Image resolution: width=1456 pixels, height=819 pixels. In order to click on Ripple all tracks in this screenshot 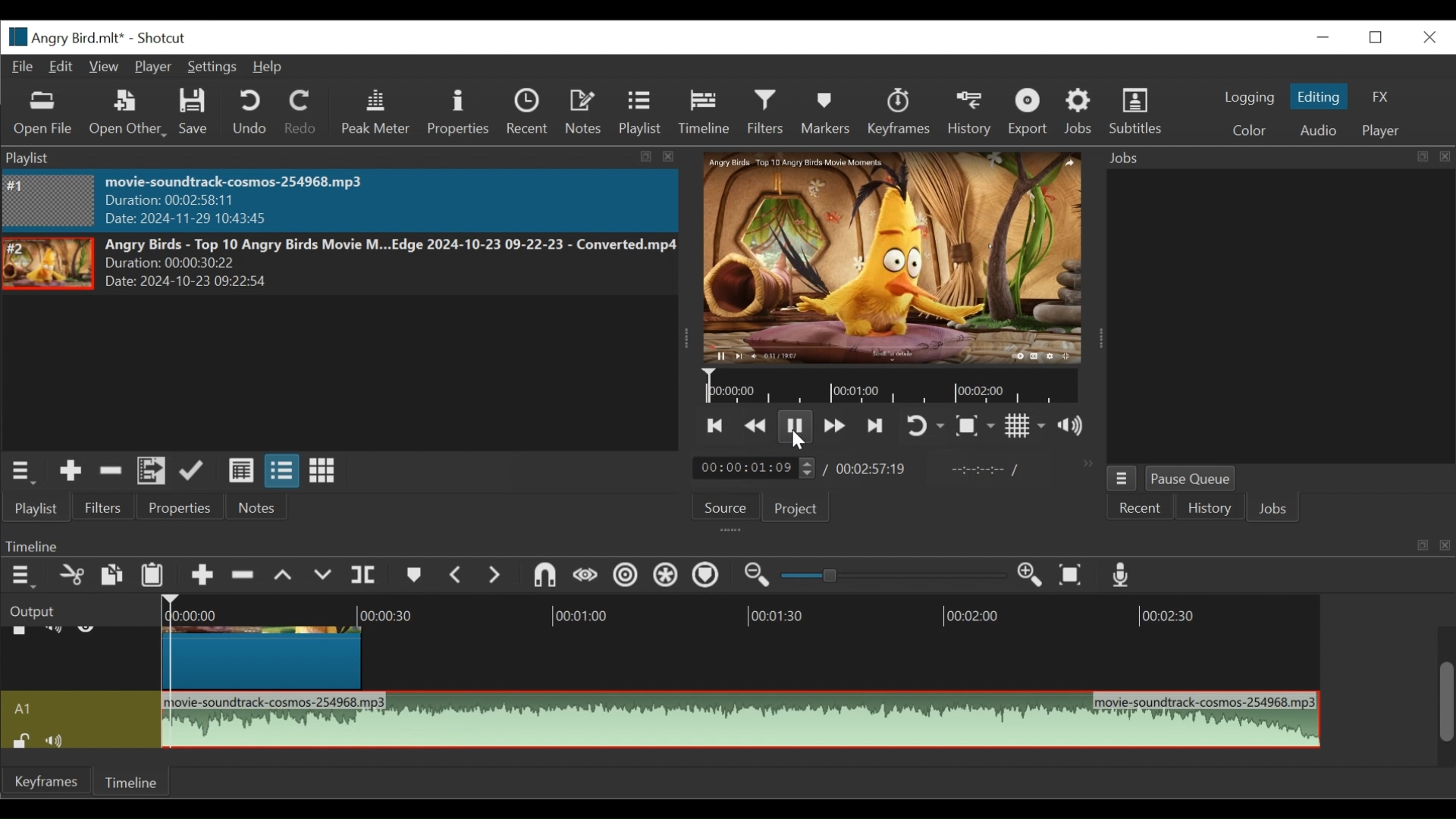, I will do `click(667, 578)`.